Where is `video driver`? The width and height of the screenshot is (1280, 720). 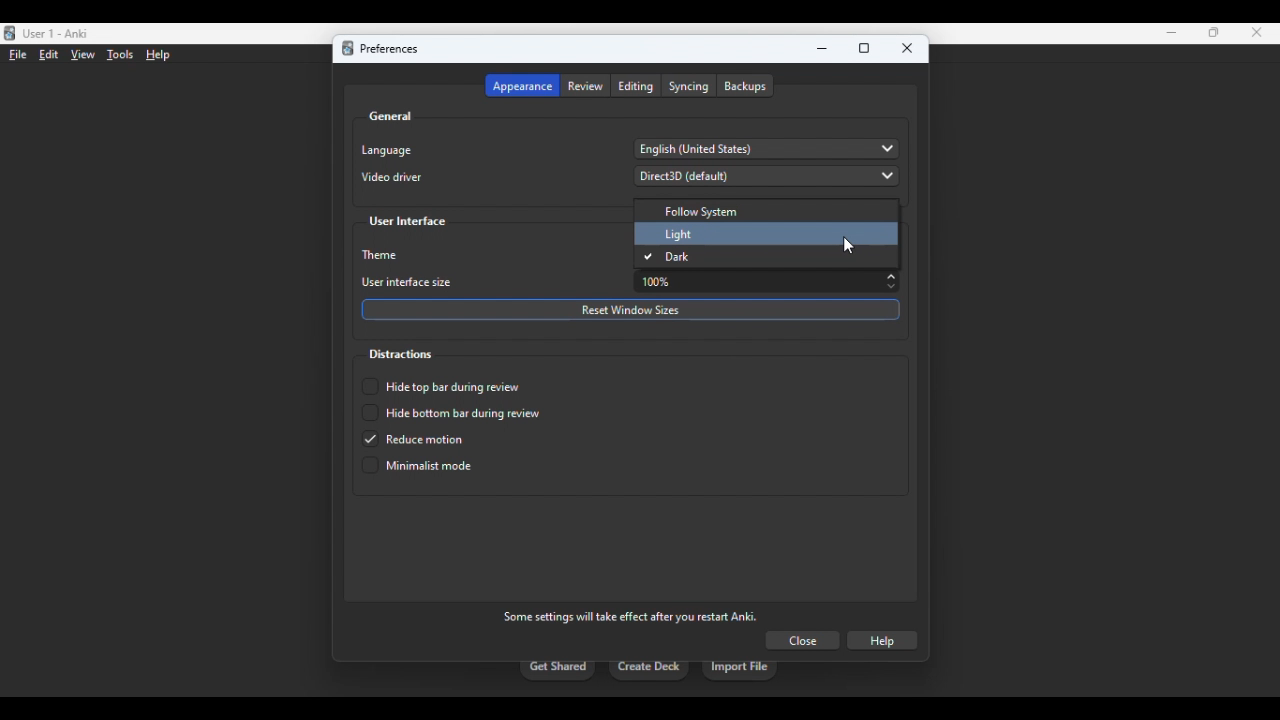 video driver is located at coordinates (392, 177).